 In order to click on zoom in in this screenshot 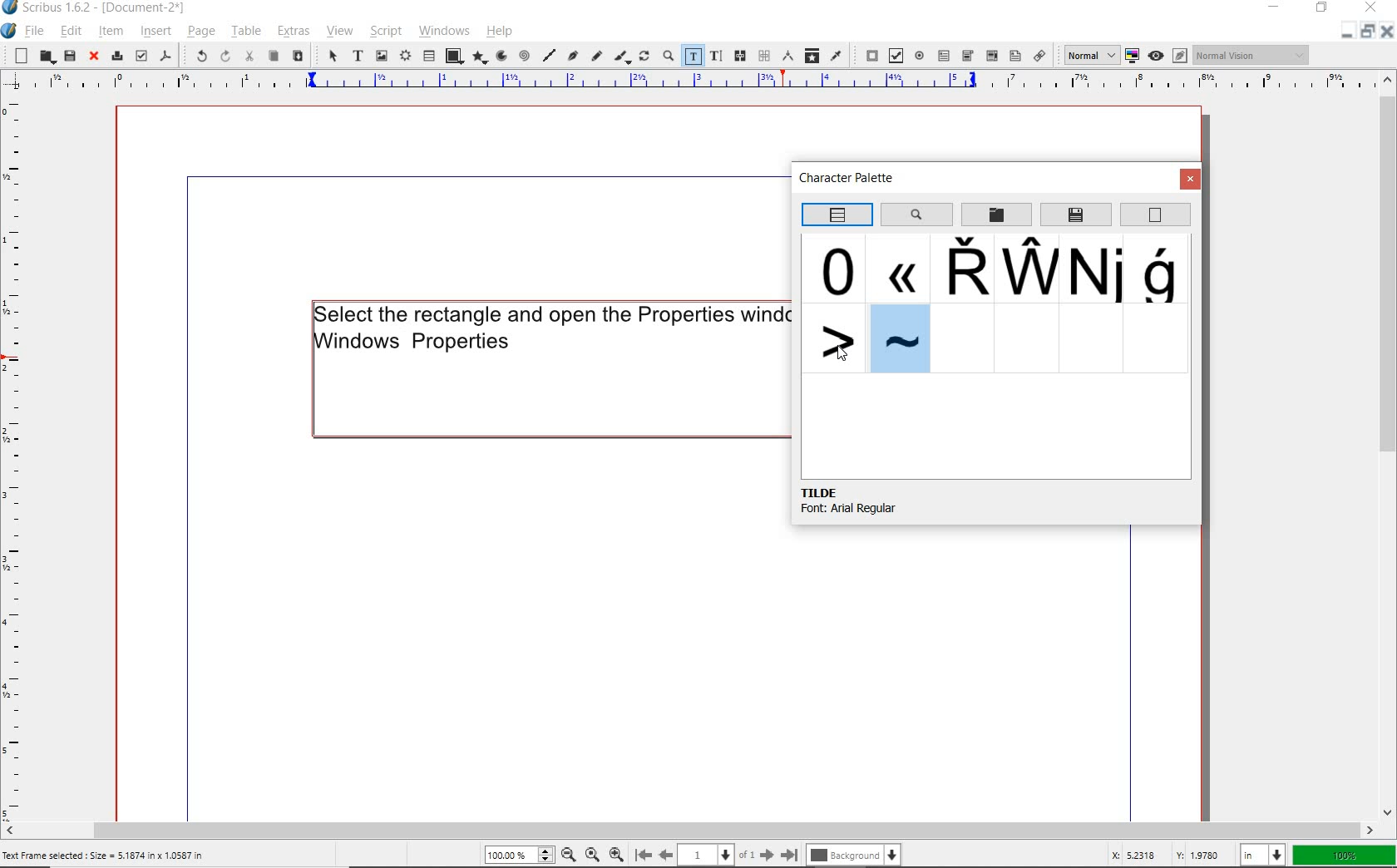, I will do `click(616, 852)`.